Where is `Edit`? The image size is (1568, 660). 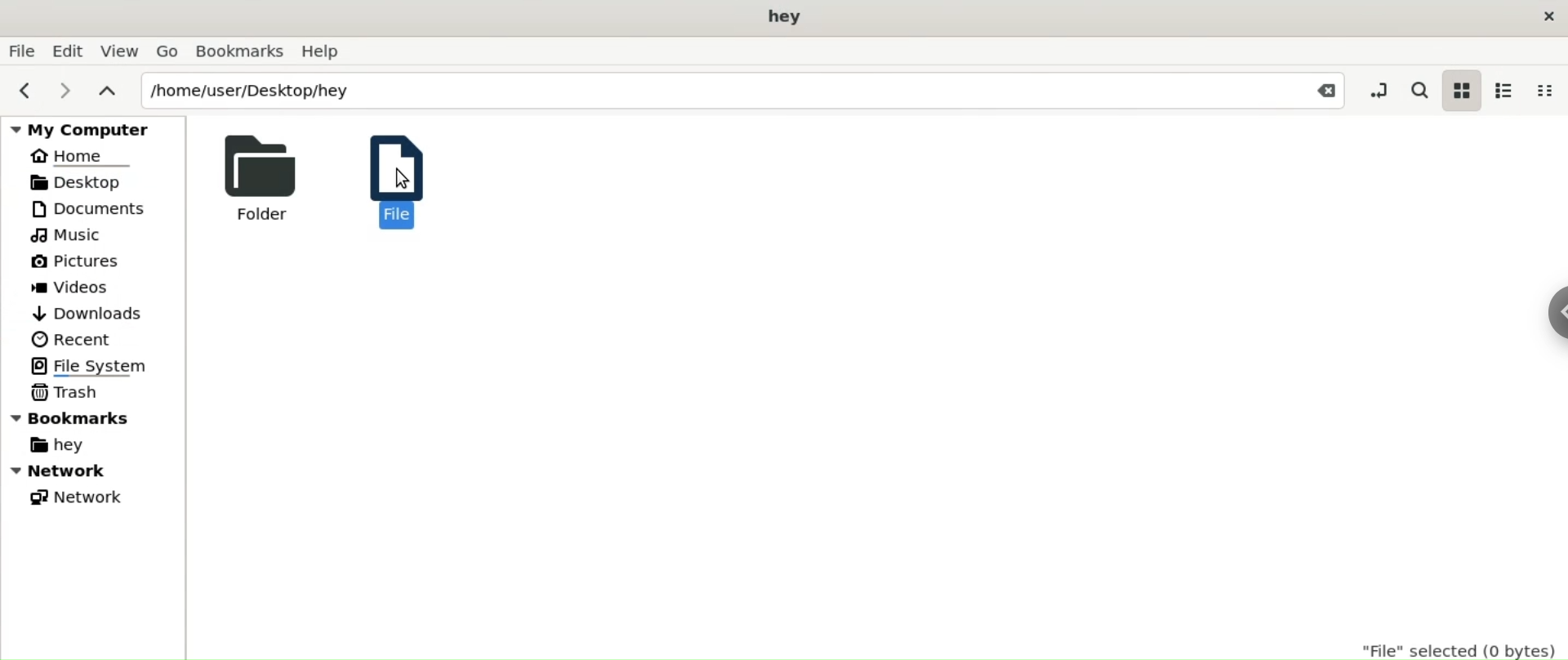
Edit is located at coordinates (69, 50).